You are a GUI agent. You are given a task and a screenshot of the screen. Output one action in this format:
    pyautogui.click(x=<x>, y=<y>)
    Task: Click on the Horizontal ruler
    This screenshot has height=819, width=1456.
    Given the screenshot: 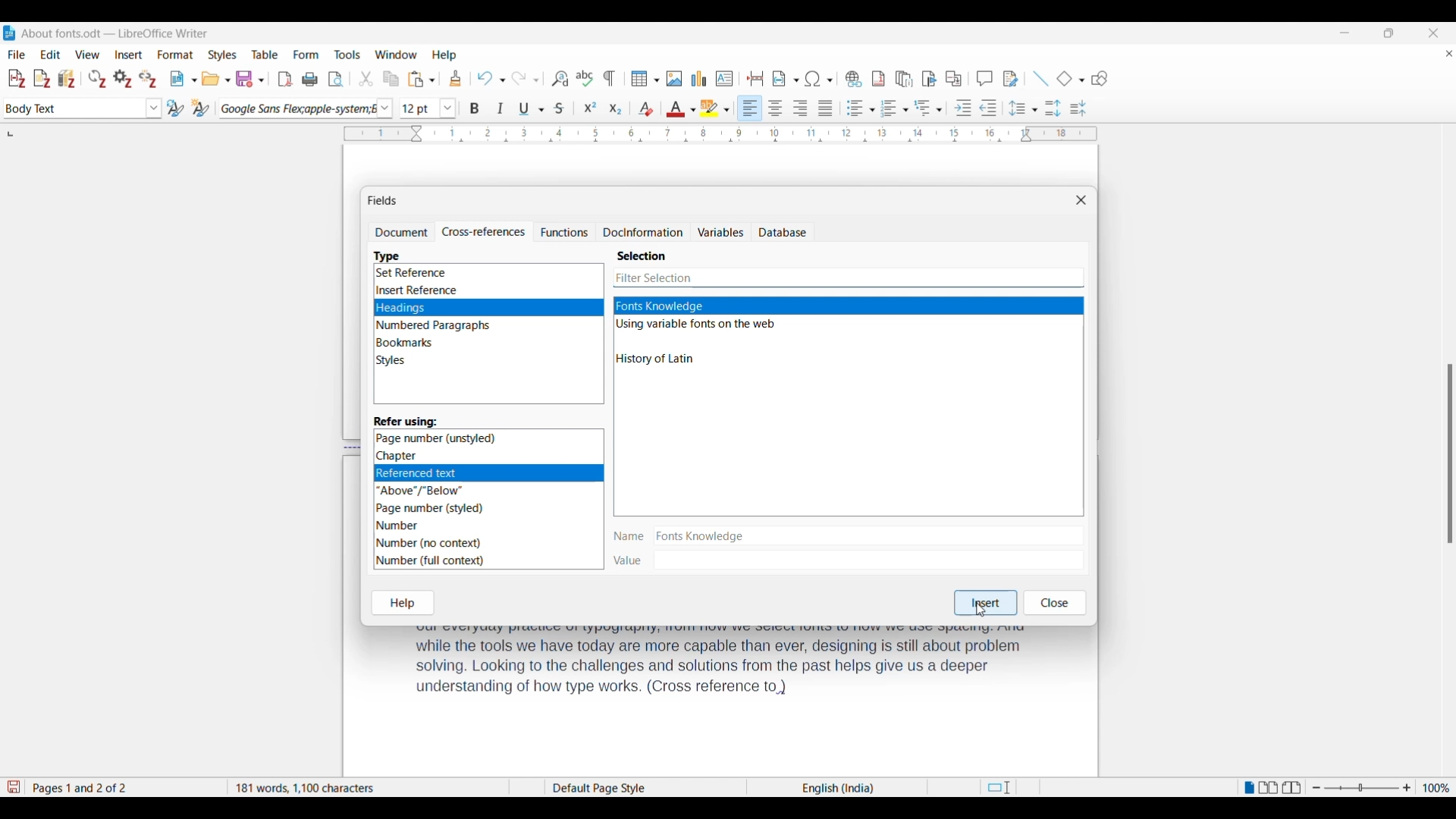 What is the action you would take?
    pyautogui.click(x=708, y=133)
    